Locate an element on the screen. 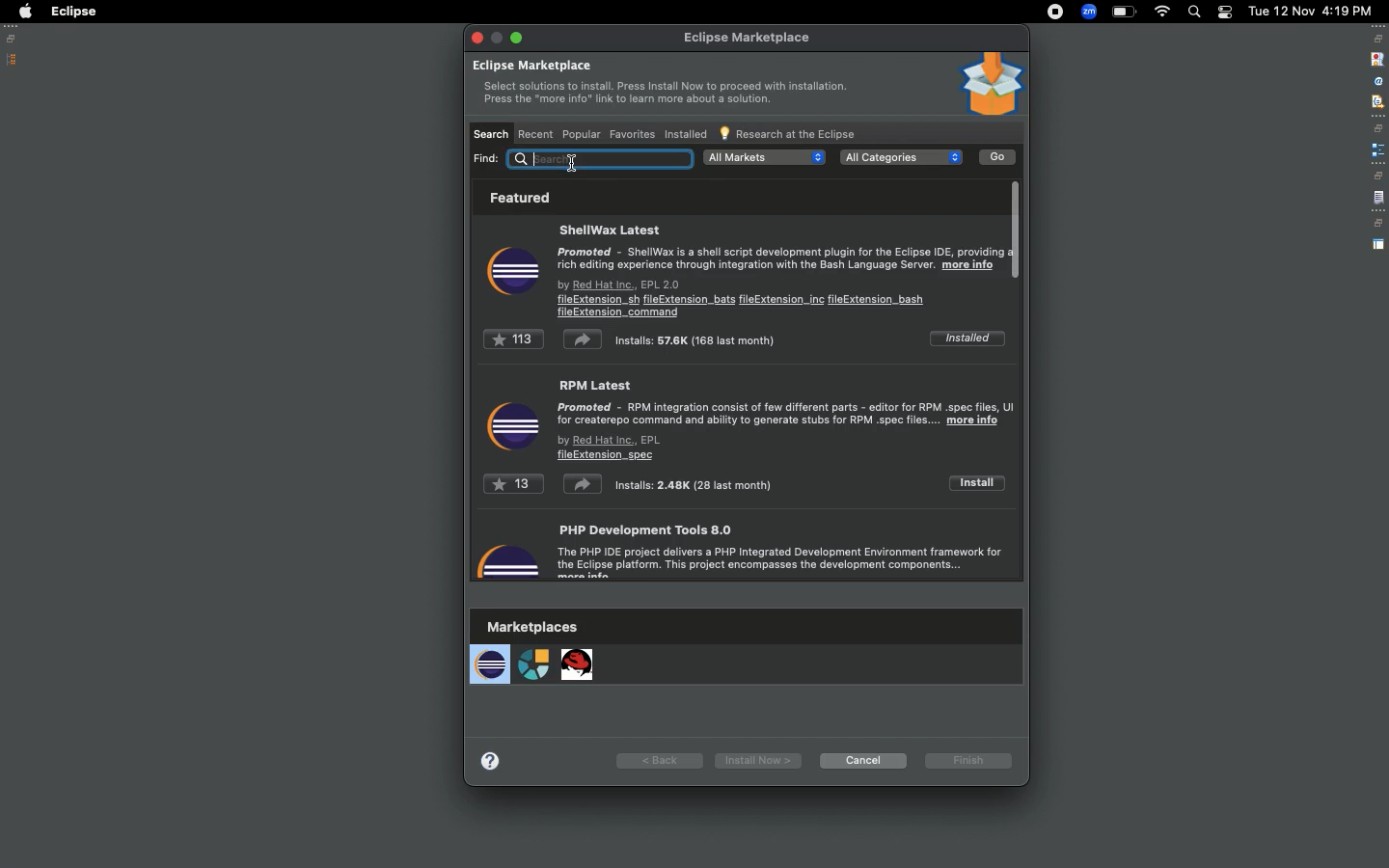  exit full screen is located at coordinates (519, 38).